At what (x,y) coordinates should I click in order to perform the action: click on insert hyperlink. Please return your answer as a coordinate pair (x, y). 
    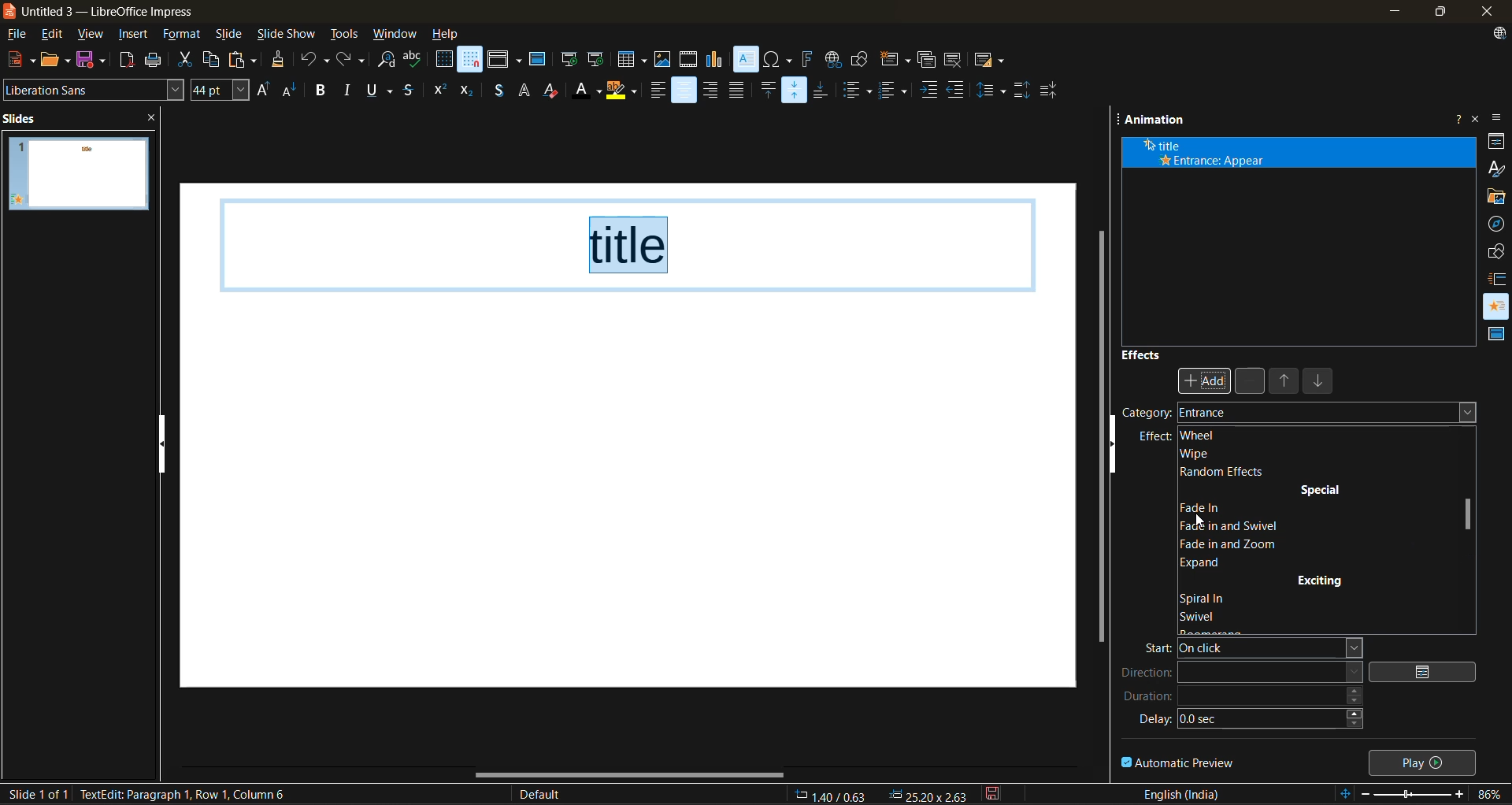
    Looking at the image, I should click on (832, 59).